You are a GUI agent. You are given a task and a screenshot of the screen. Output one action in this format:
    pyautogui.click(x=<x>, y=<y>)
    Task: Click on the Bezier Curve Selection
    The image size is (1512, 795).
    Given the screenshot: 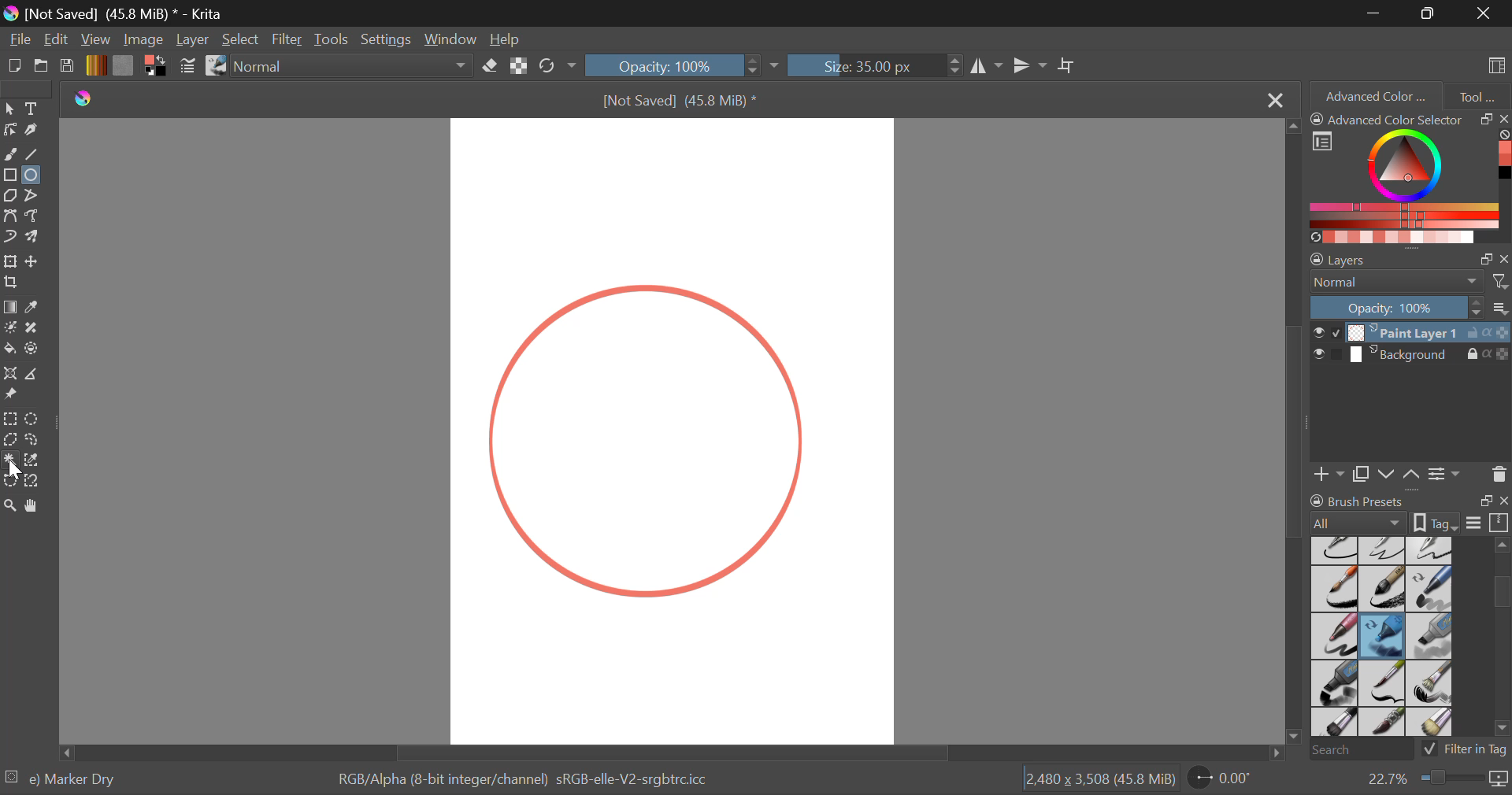 What is the action you would take?
    pyautogui.click(x=9, y=481)
    